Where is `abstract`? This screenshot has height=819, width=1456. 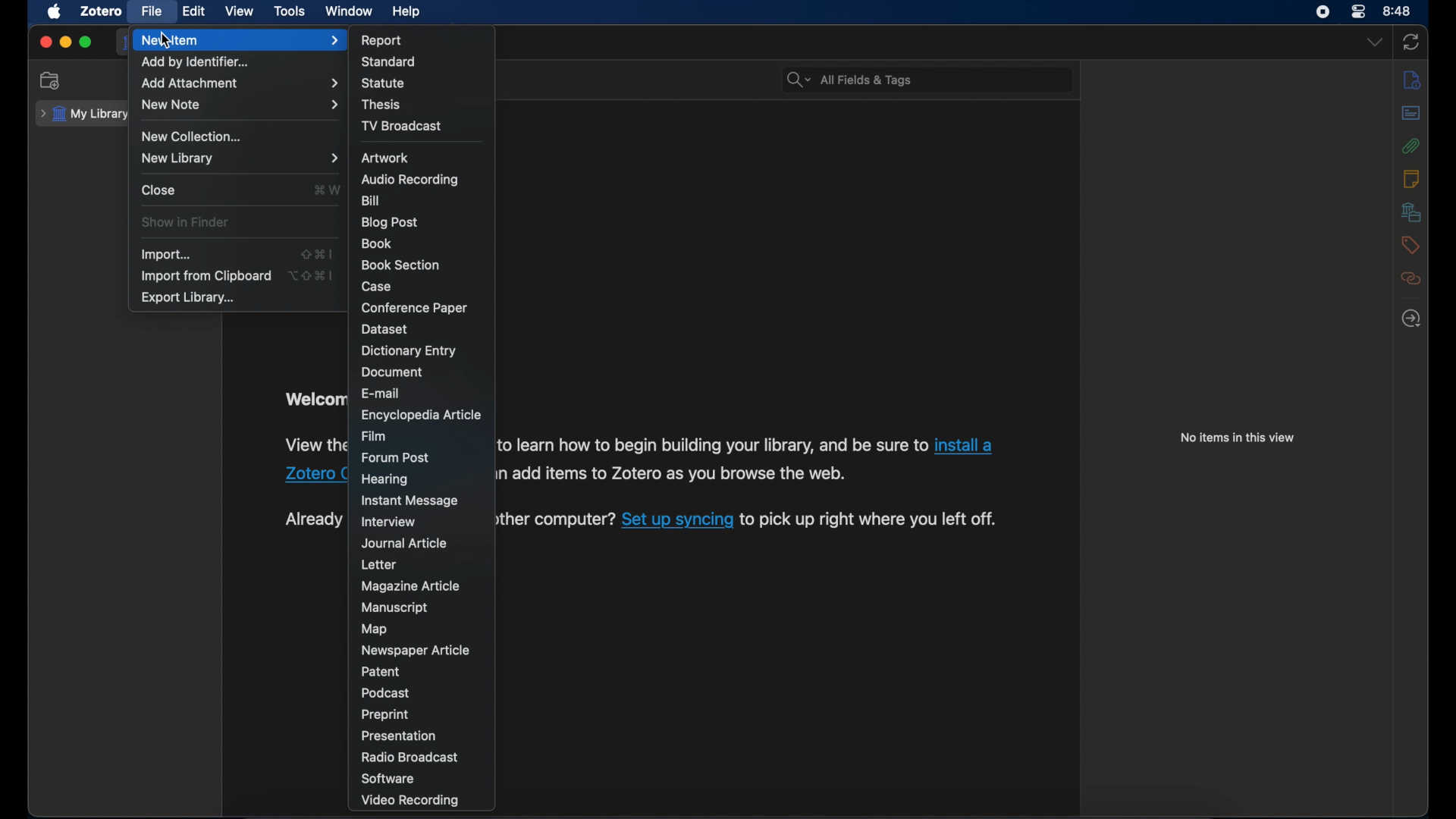
abstract is located at coordinates (1410, 112).